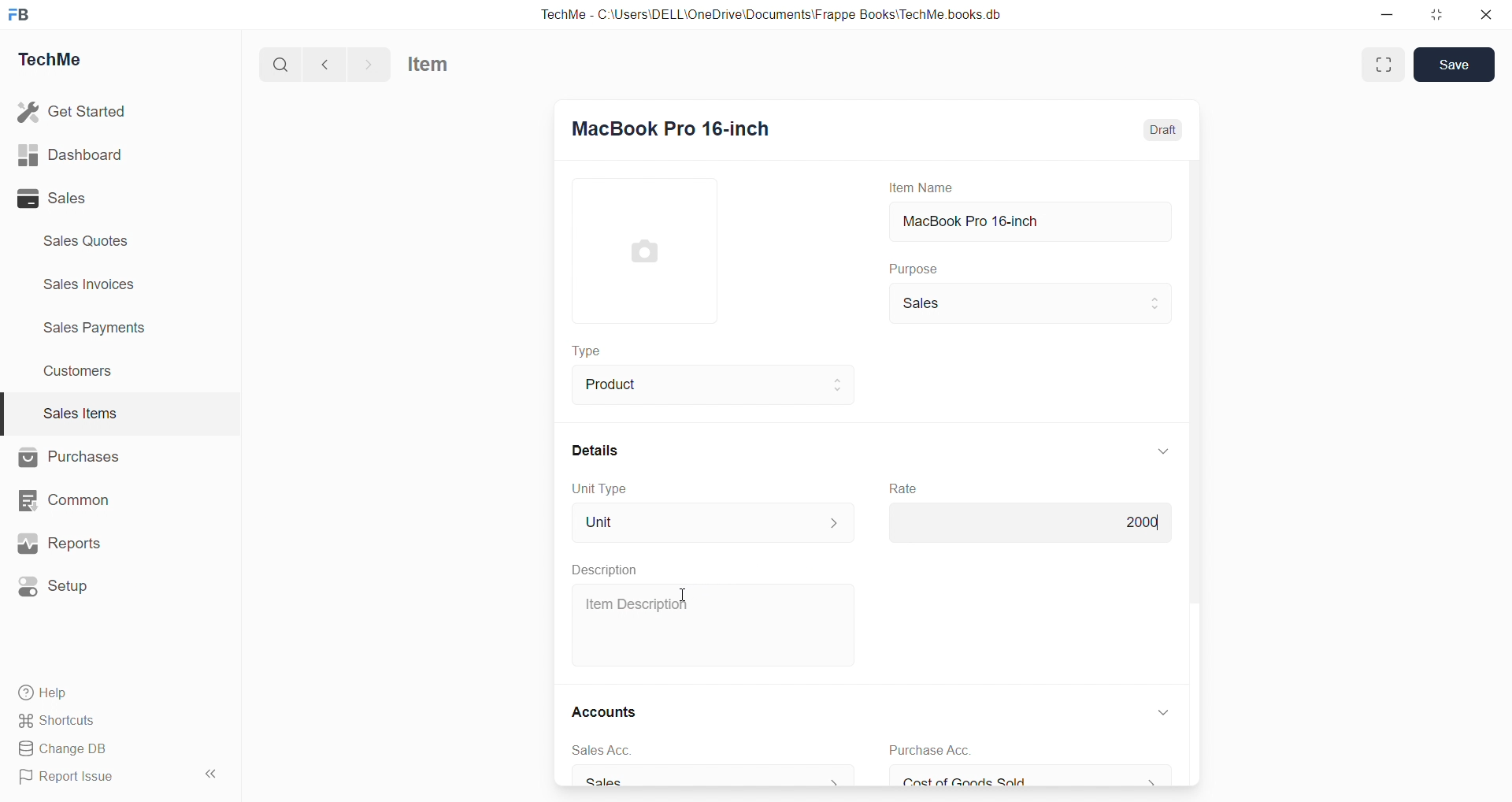  I want to click on Report Issue, so click(70, 778).